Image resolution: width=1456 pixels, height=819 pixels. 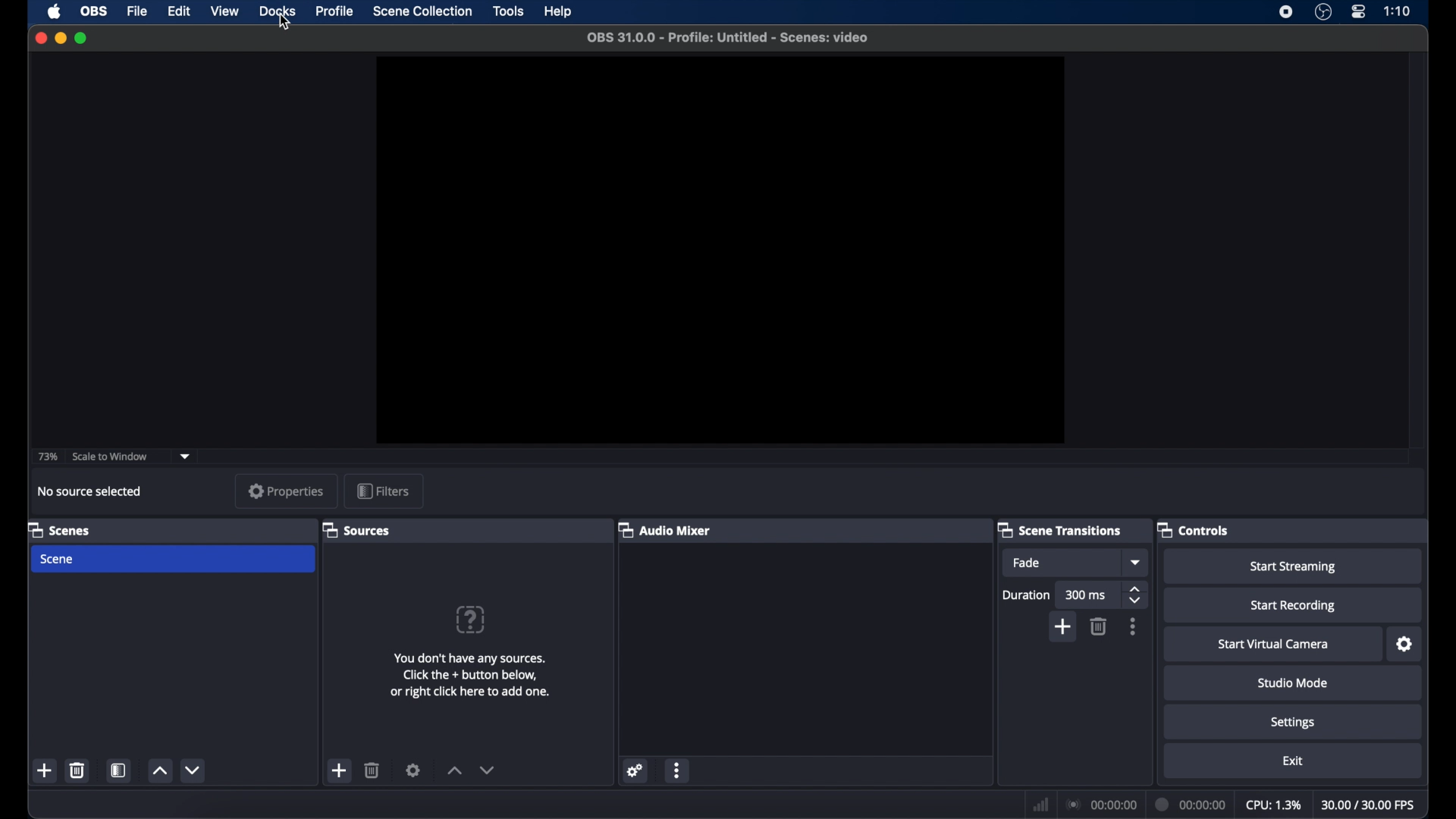 What do you see at coordinates (1101, 804) in the screenshot?
I see `connection` at bounding box center [1101, 804].